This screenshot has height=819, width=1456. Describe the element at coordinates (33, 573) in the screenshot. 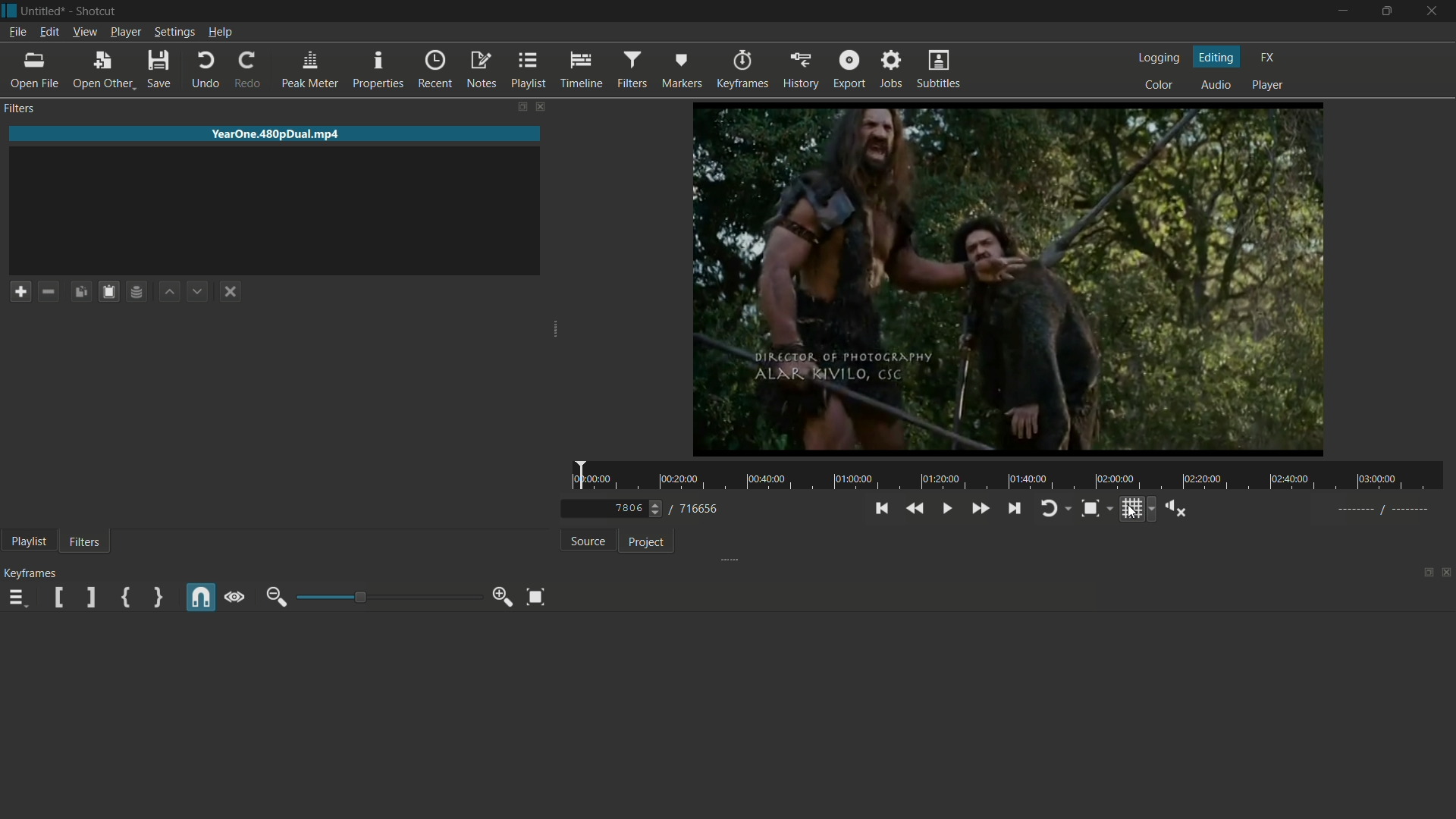

I see `keyframes` at that location.